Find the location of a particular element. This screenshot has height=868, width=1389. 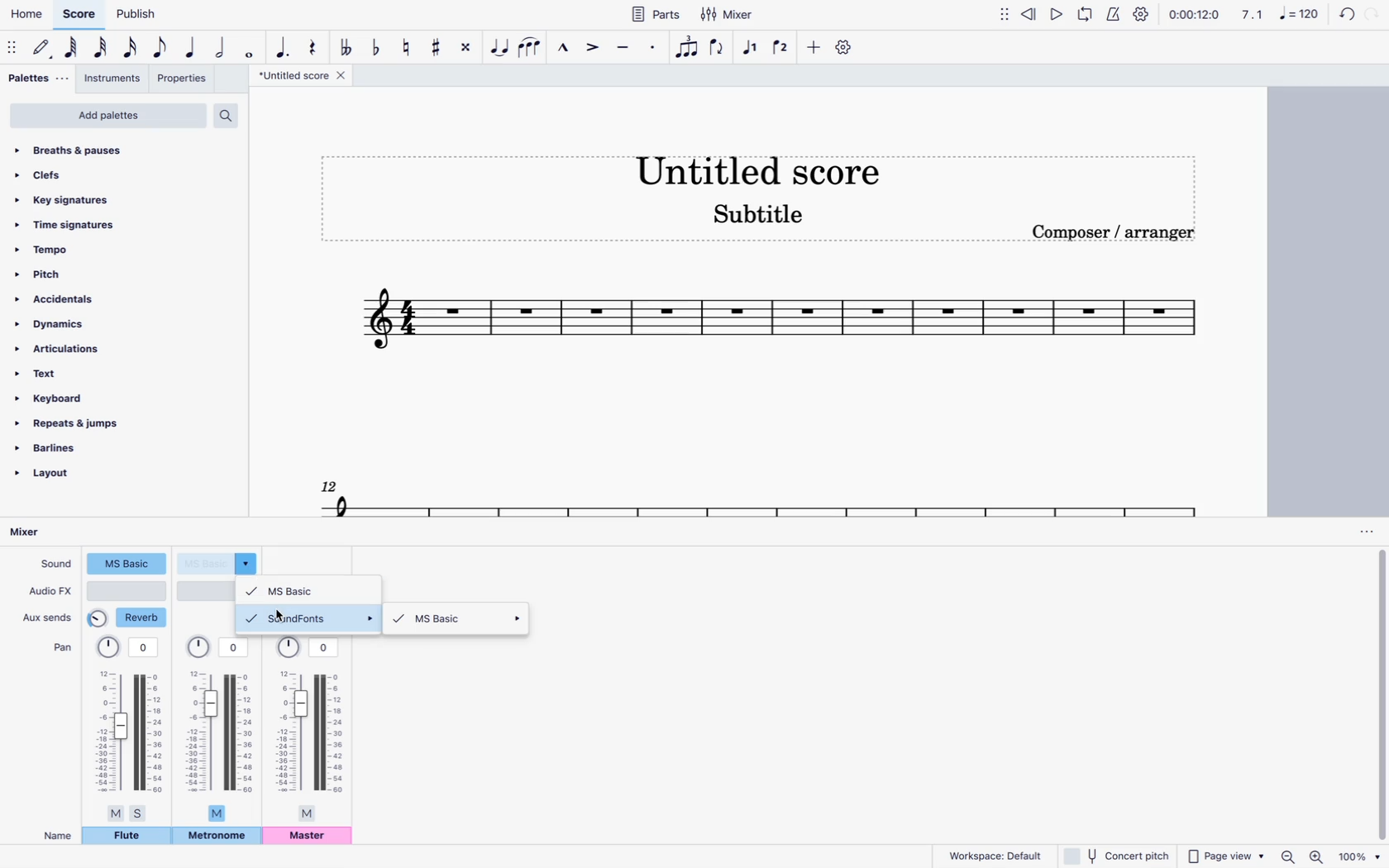

reverb is located at coordinates (129, 618).